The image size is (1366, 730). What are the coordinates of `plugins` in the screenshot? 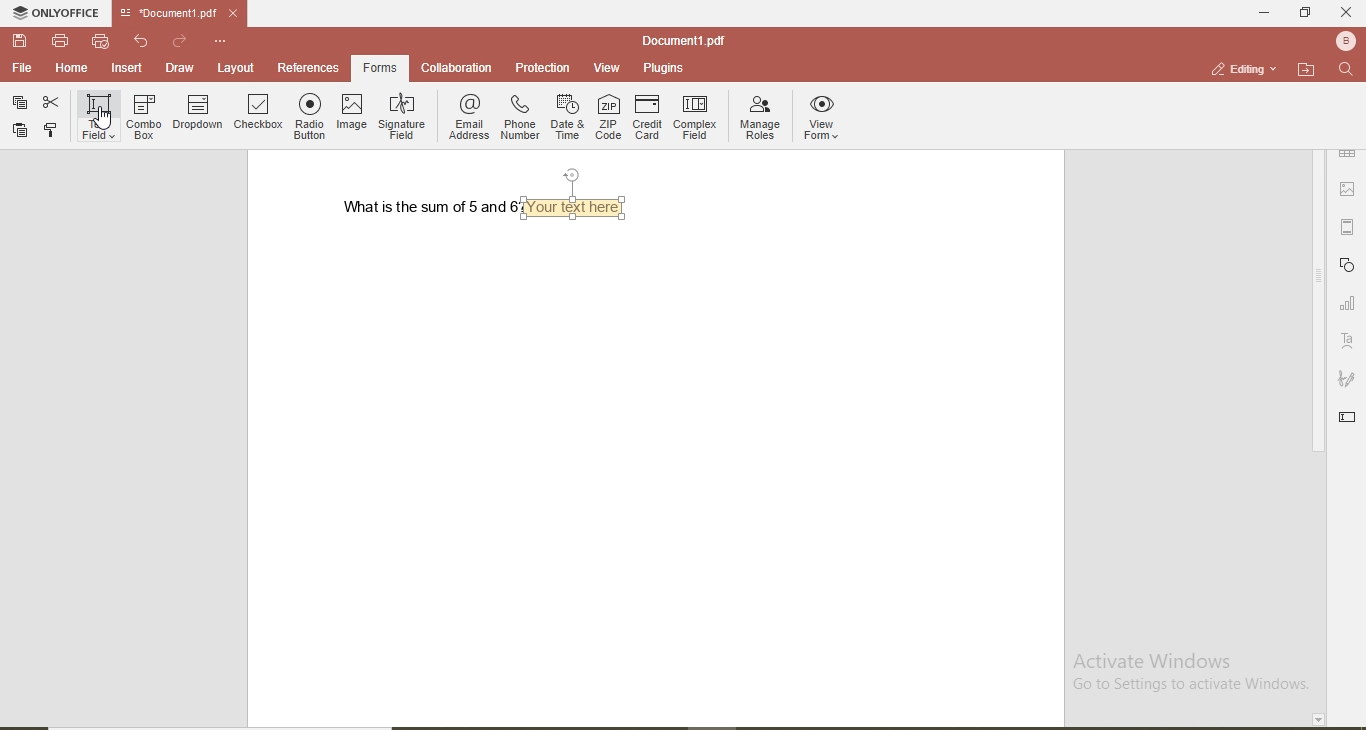 It's located at (665, 69).